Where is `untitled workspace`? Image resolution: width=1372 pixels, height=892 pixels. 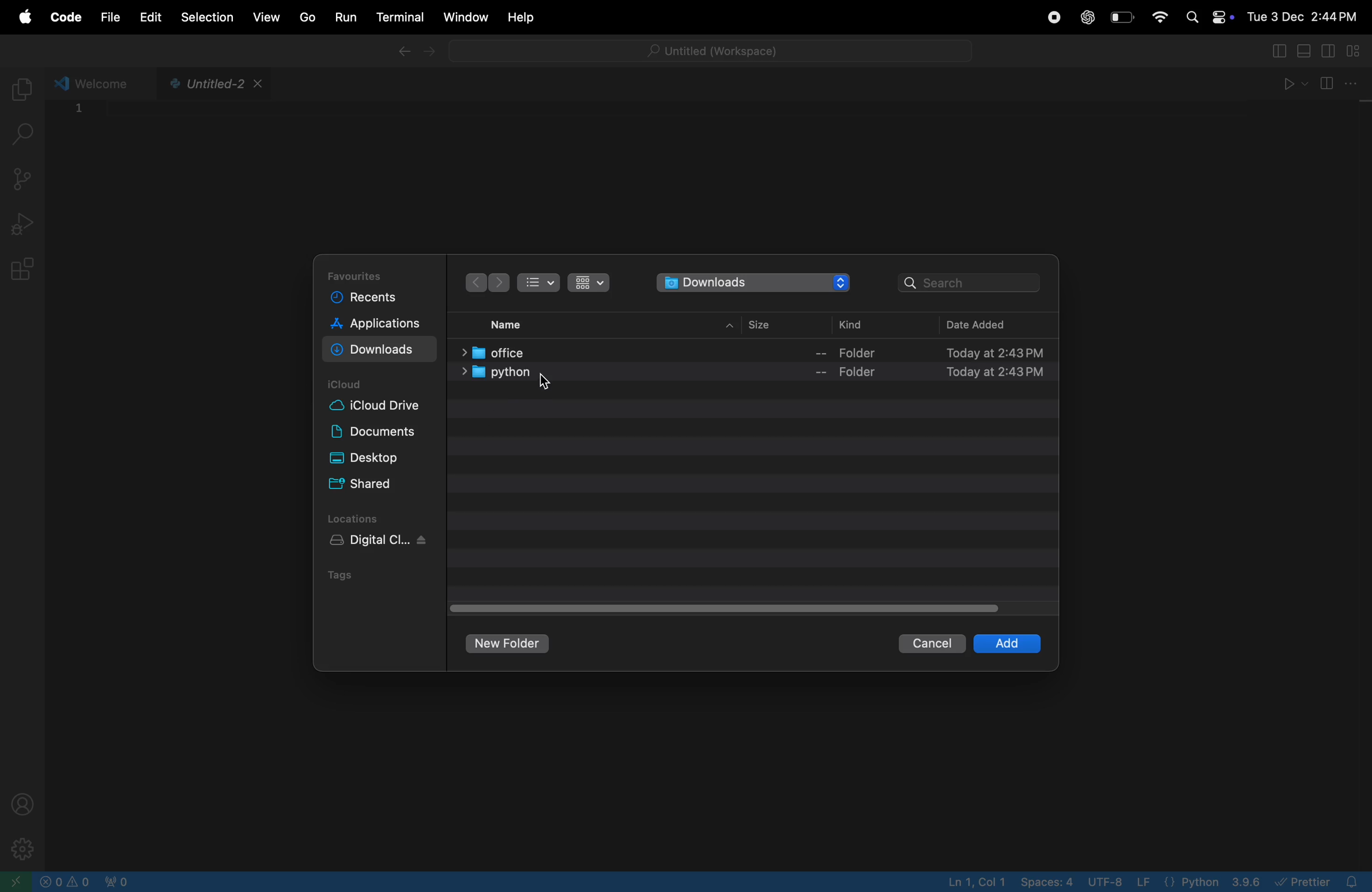
untitled workspace is located at coordinates (706, 48).